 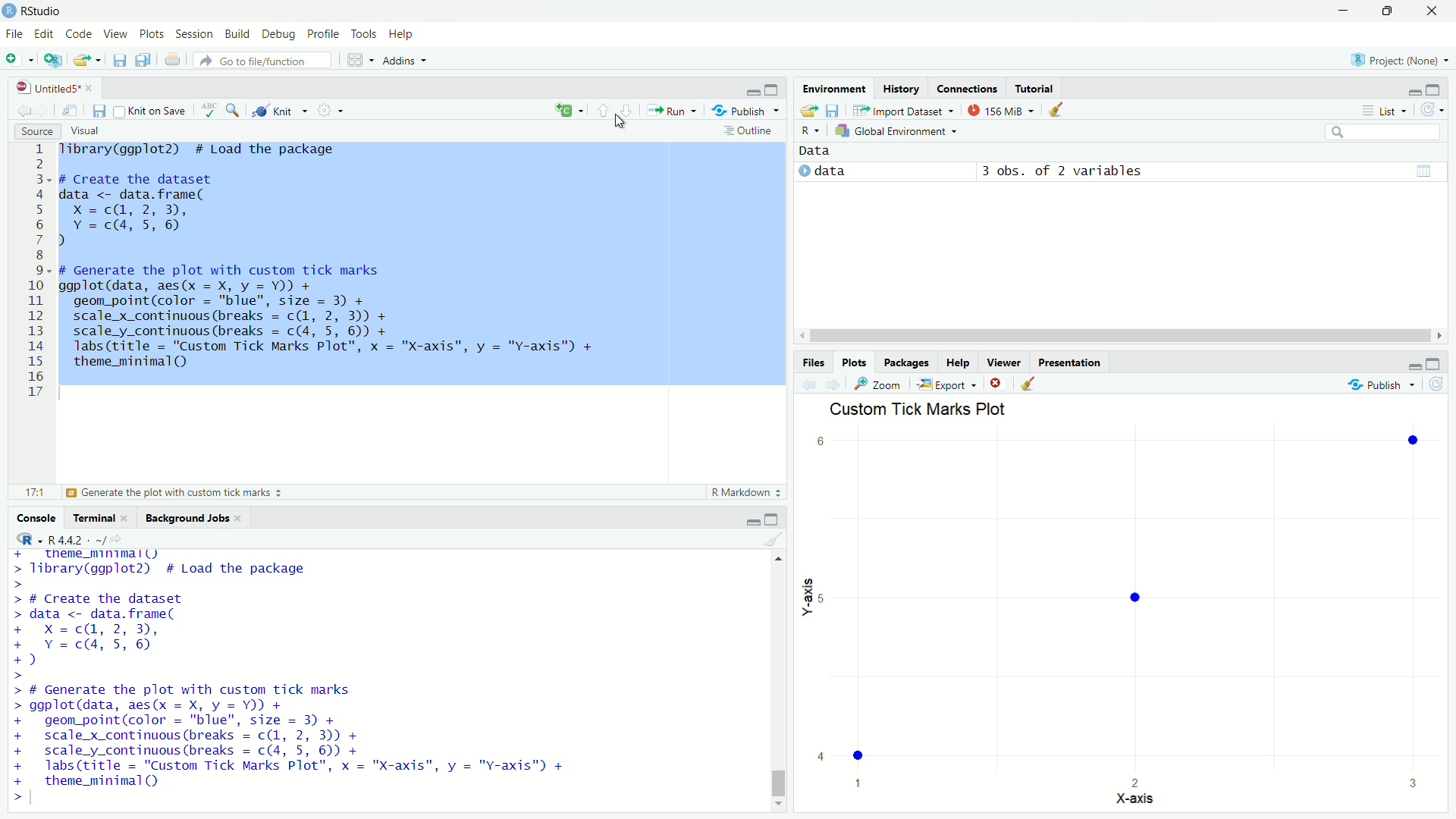 What do you see at coordinates (836, 111) in the screenshot?
I see `save workspace as` at bounding box center [836, 111].